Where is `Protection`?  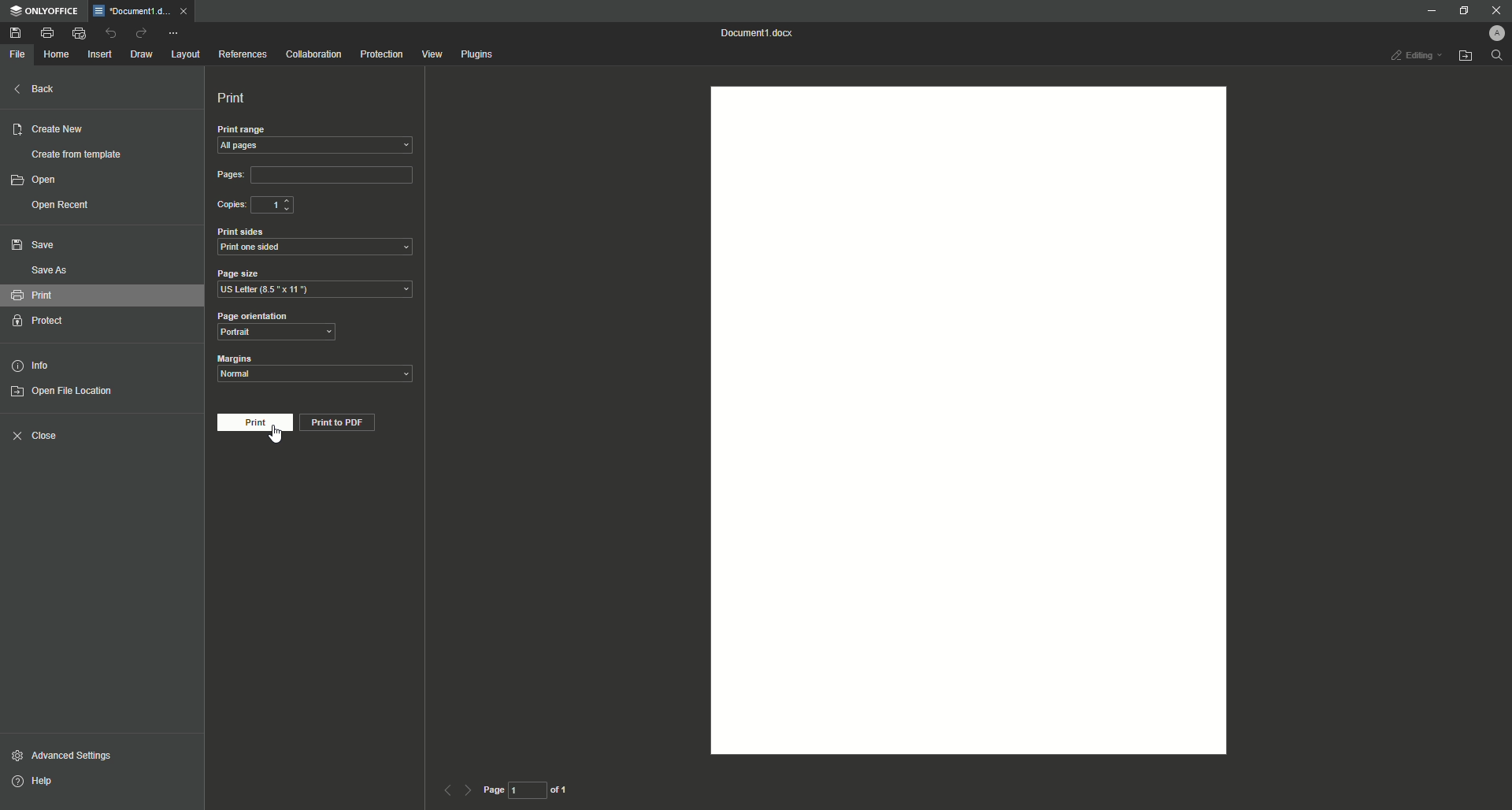
Protection is located at coordinates (383, 53).